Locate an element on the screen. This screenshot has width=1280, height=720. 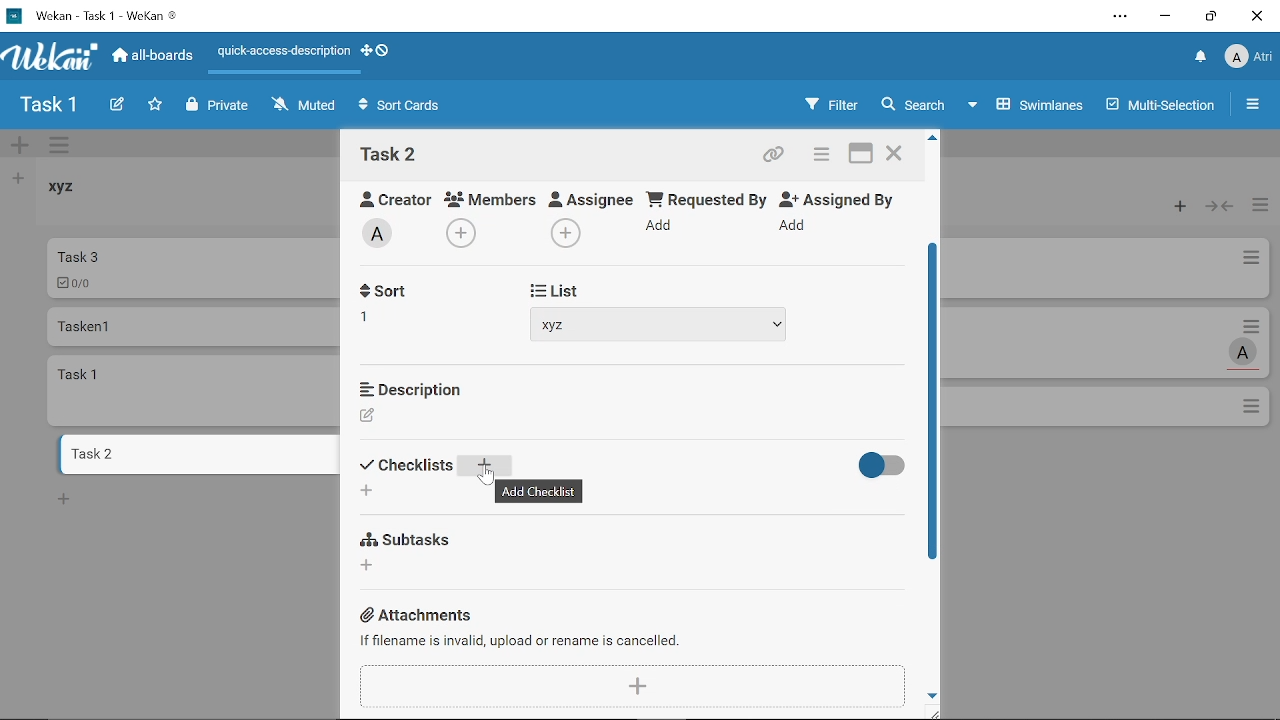
Add list is located at coordinates (16, 178).